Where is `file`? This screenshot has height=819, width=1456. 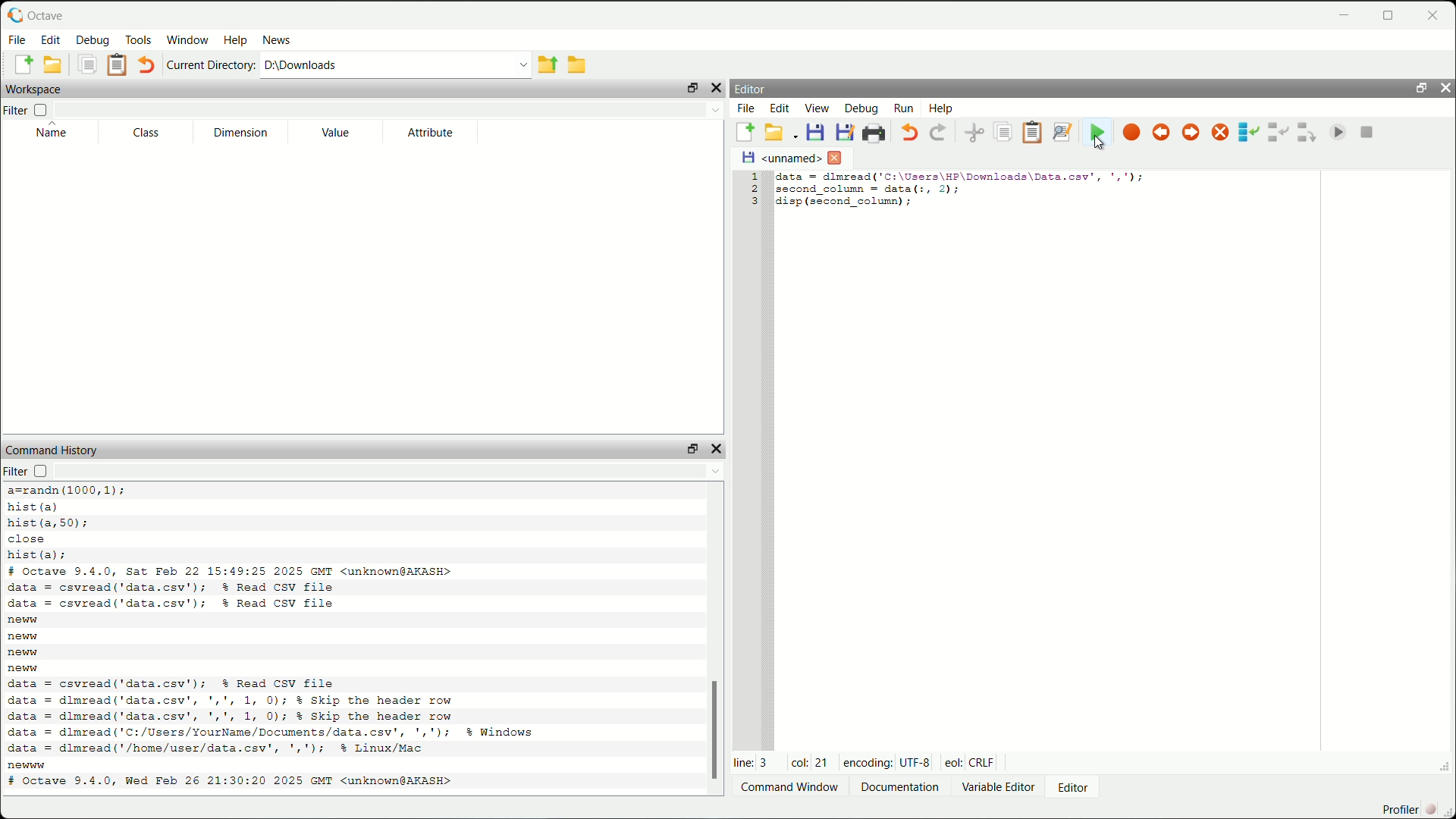
file is located at coordinates (744, 110).